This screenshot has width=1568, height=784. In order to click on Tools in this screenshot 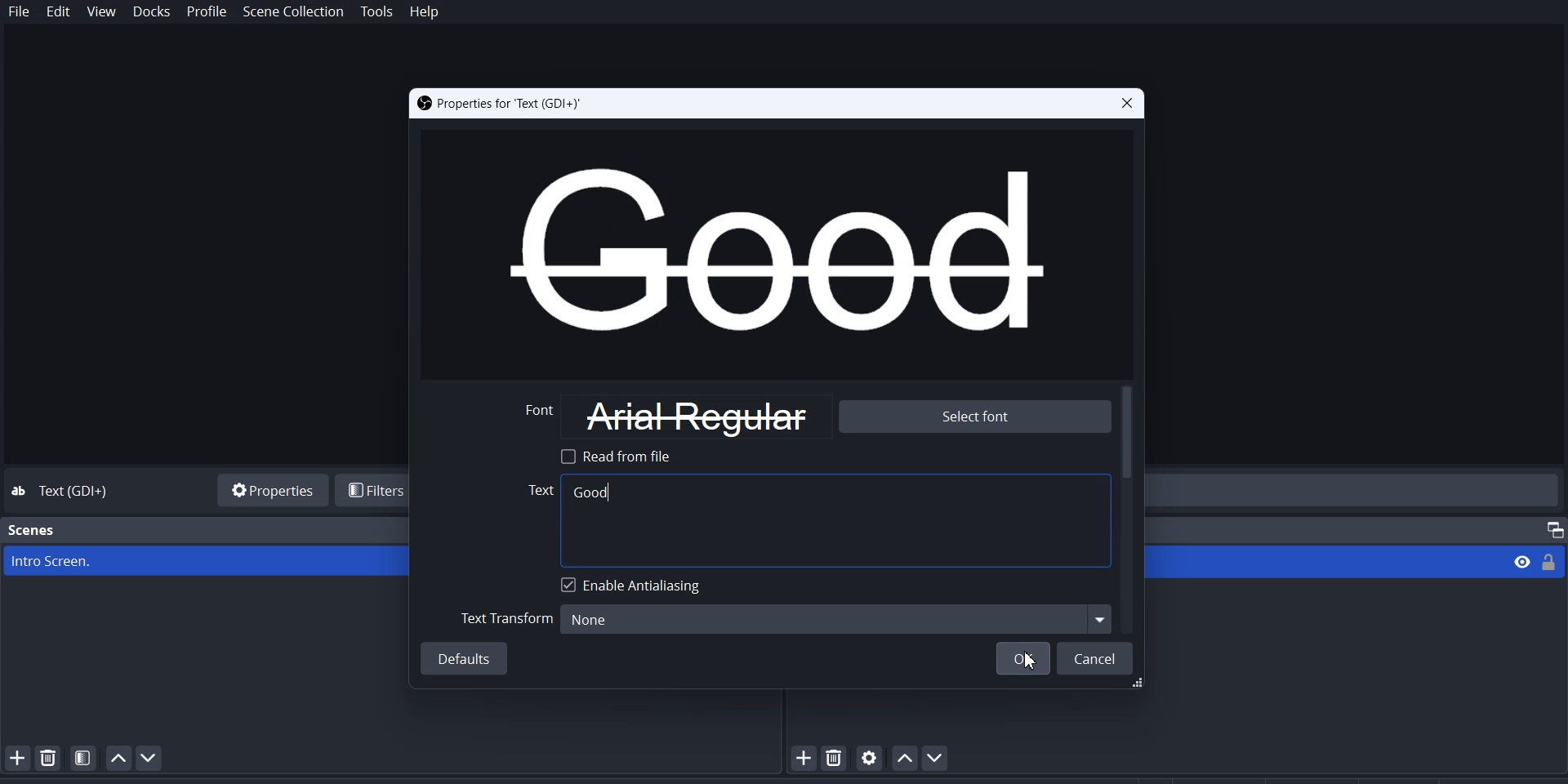, I will do `click(377, 12)`.